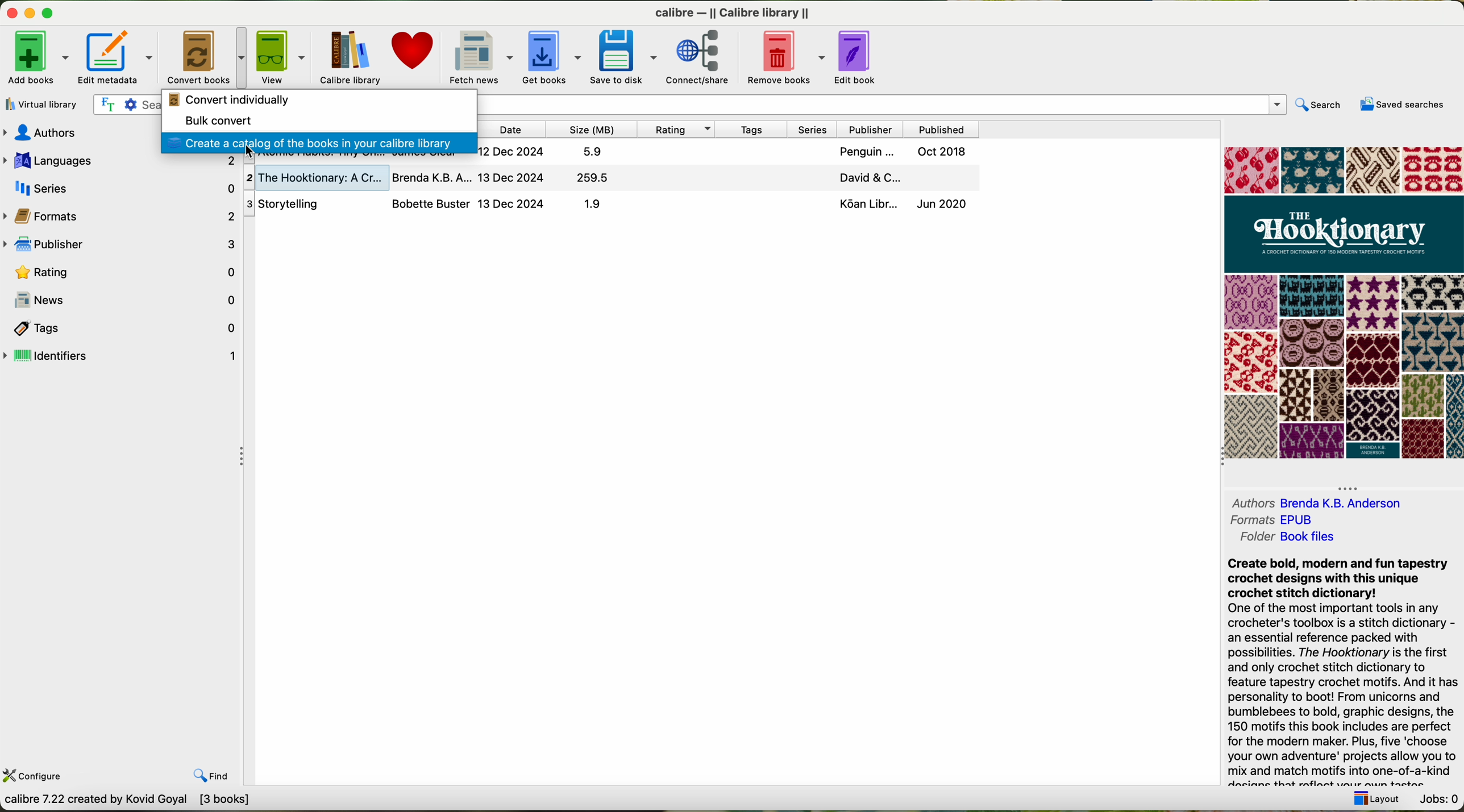 The width and height of the screenshot is (1464, 812). I want to click on search bar, so click(881, 104).